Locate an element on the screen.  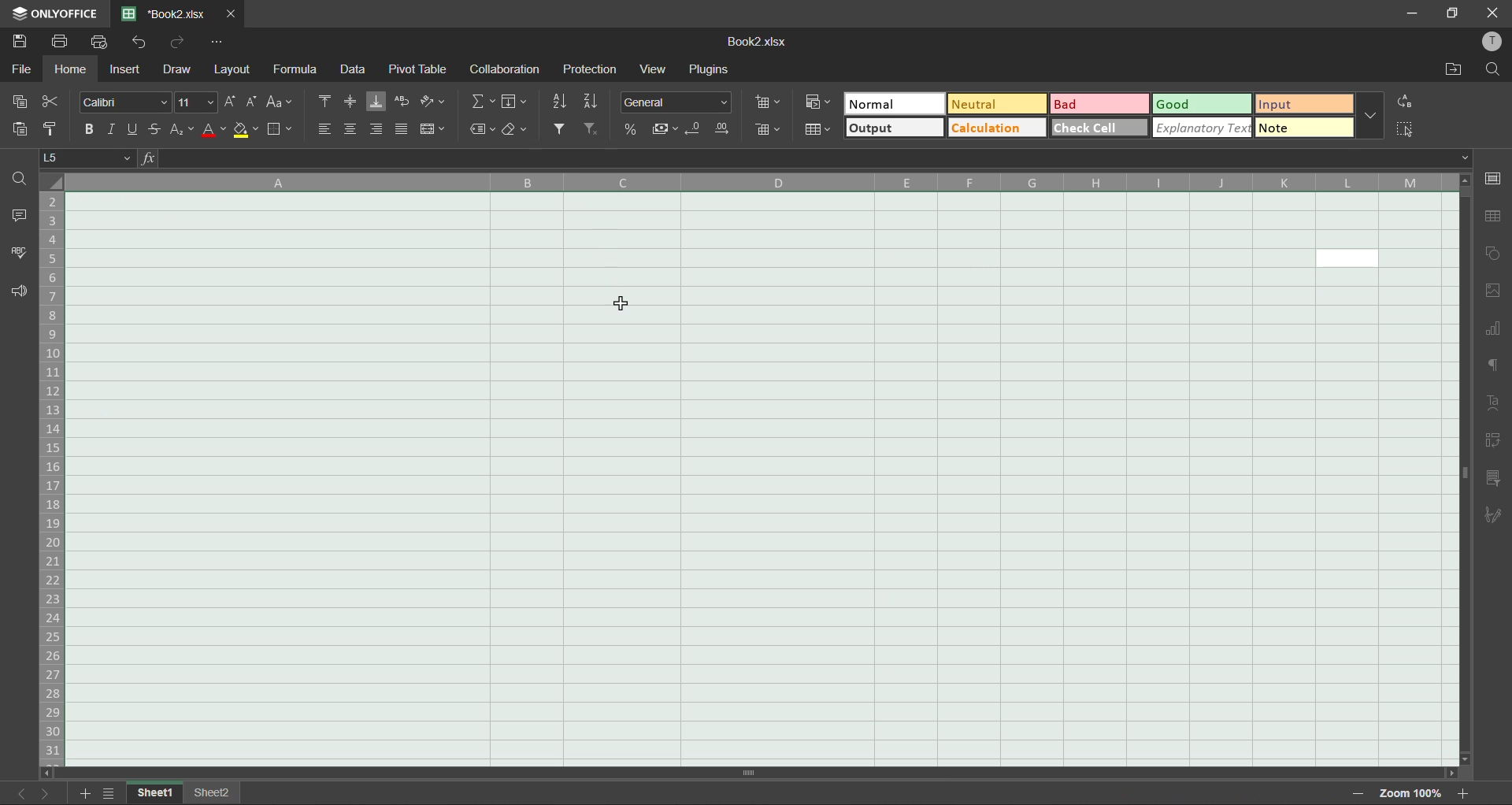
explanatory text is located at coordinates (1203, 128).